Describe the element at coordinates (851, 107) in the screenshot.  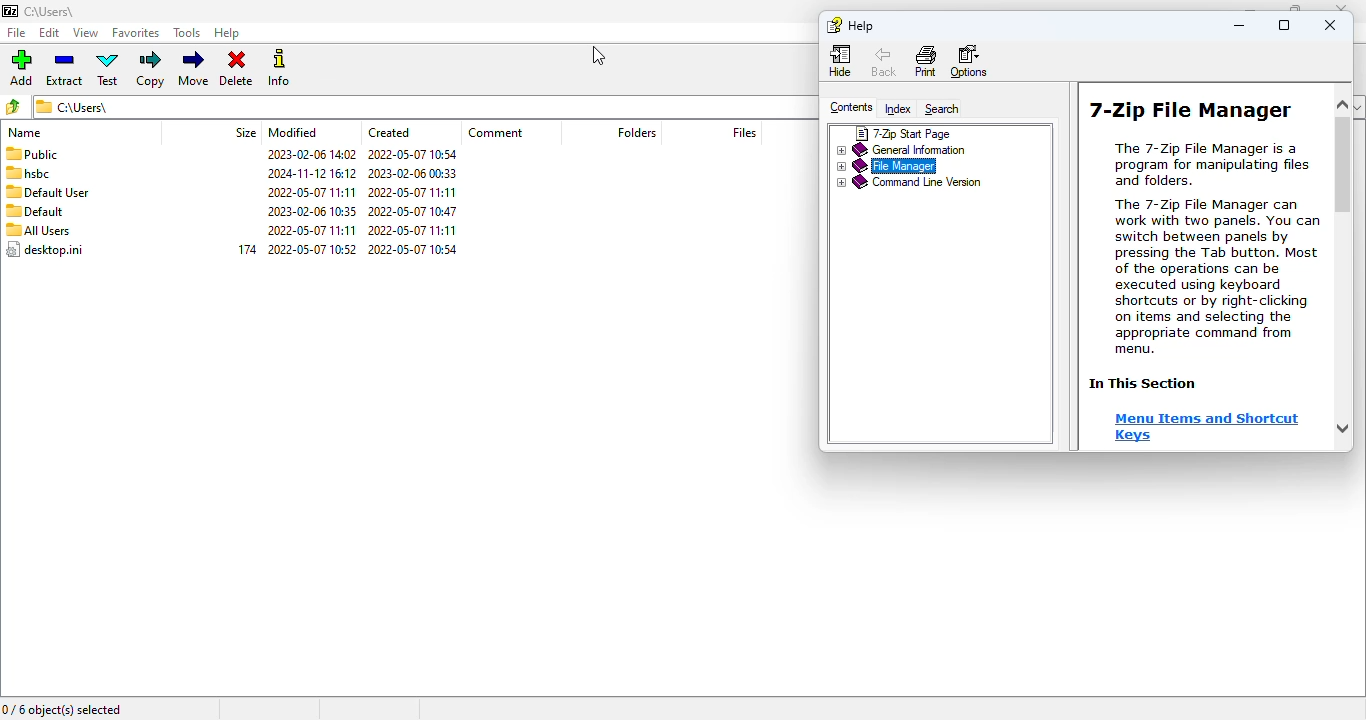
I see `contents` at that location.